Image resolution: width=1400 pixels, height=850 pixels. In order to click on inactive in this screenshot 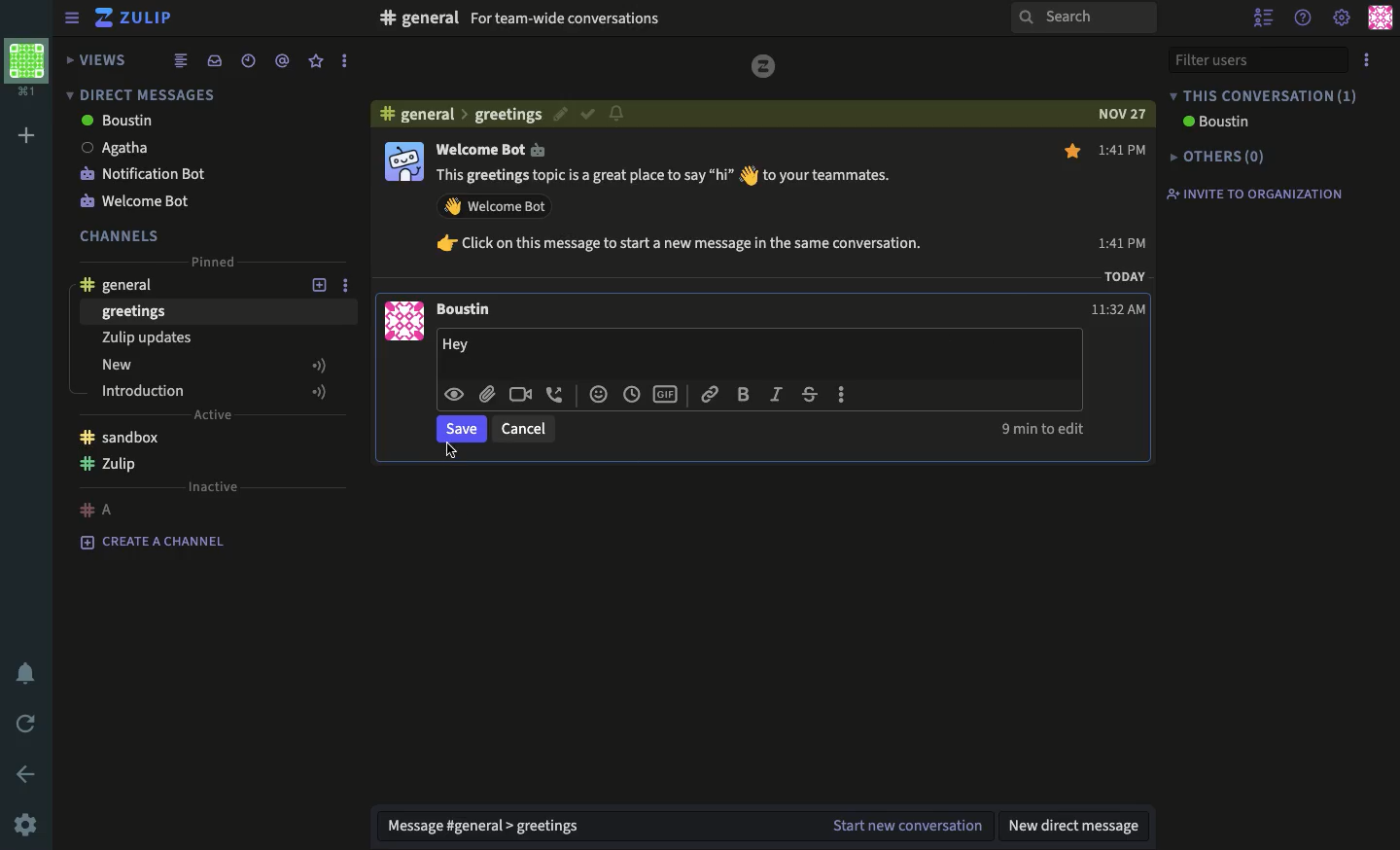, I will do `click(213, 486)`.